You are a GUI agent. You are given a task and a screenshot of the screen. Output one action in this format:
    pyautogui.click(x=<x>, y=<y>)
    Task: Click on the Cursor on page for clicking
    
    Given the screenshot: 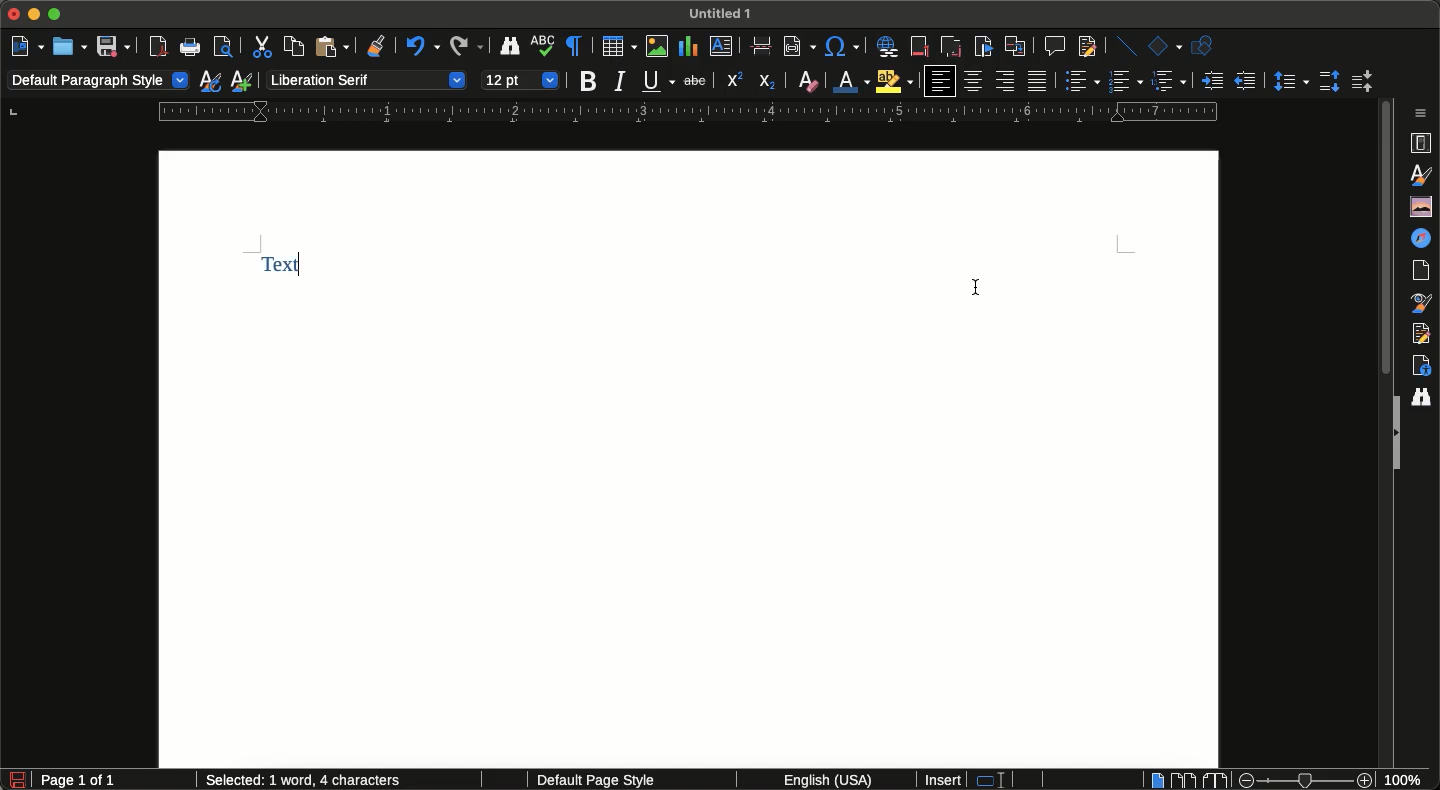 What is the action you would take?
    pyautogui.click(x=980, y=282)
    